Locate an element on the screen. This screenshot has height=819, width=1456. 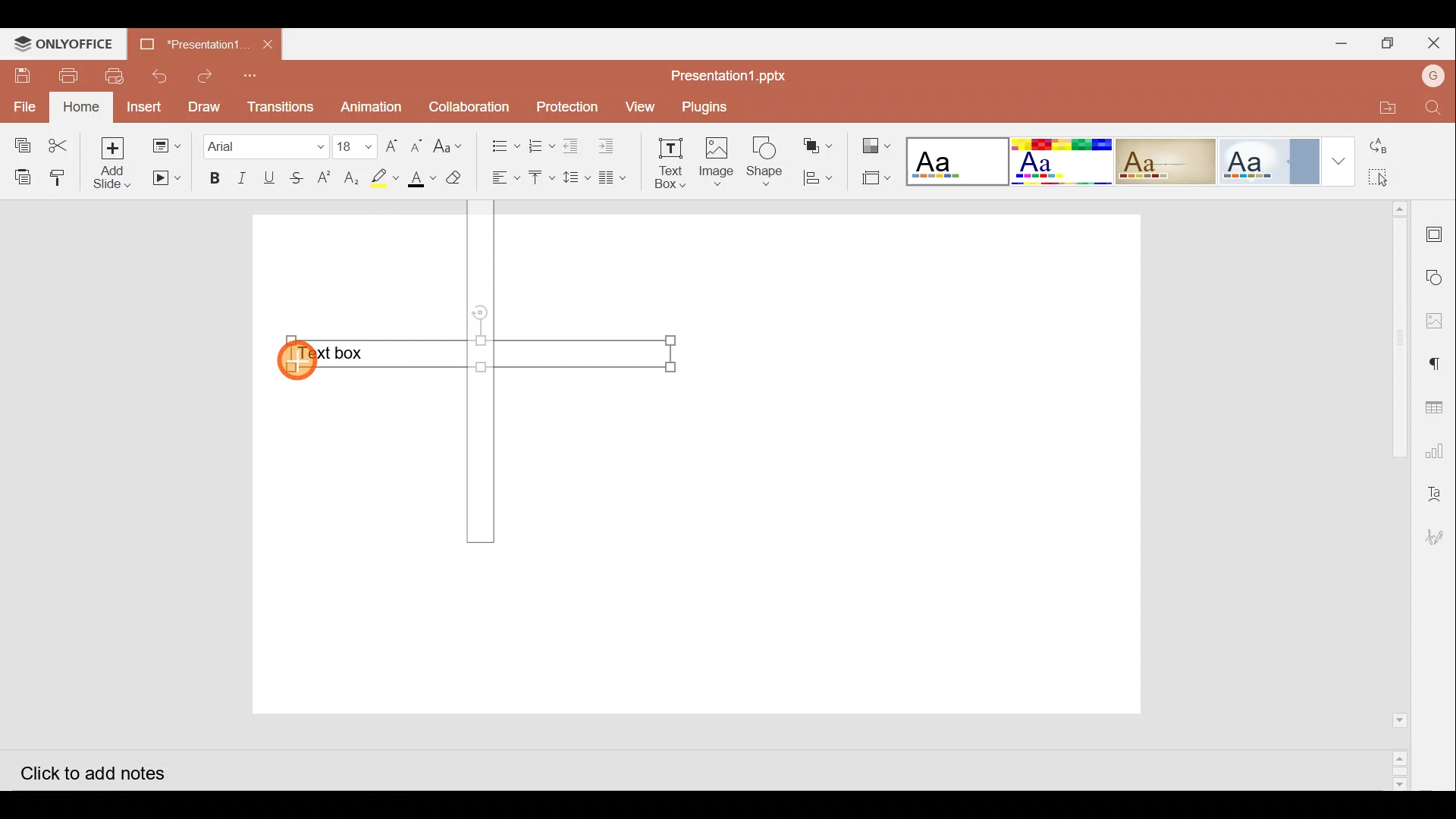
Paste is located at coordinates (20, 175).